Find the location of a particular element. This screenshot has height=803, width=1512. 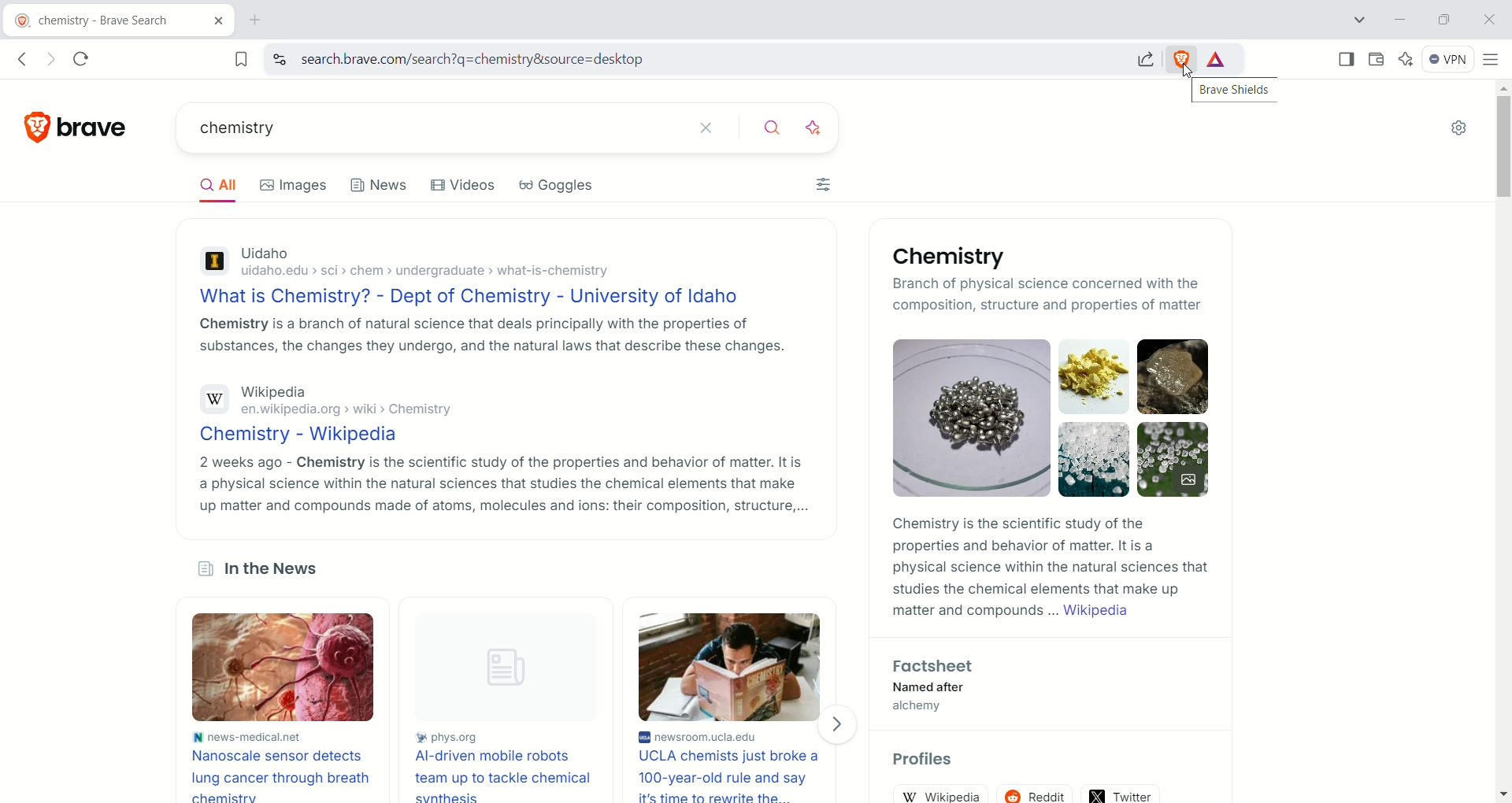

Profiles is located at coordinates (925, 760).